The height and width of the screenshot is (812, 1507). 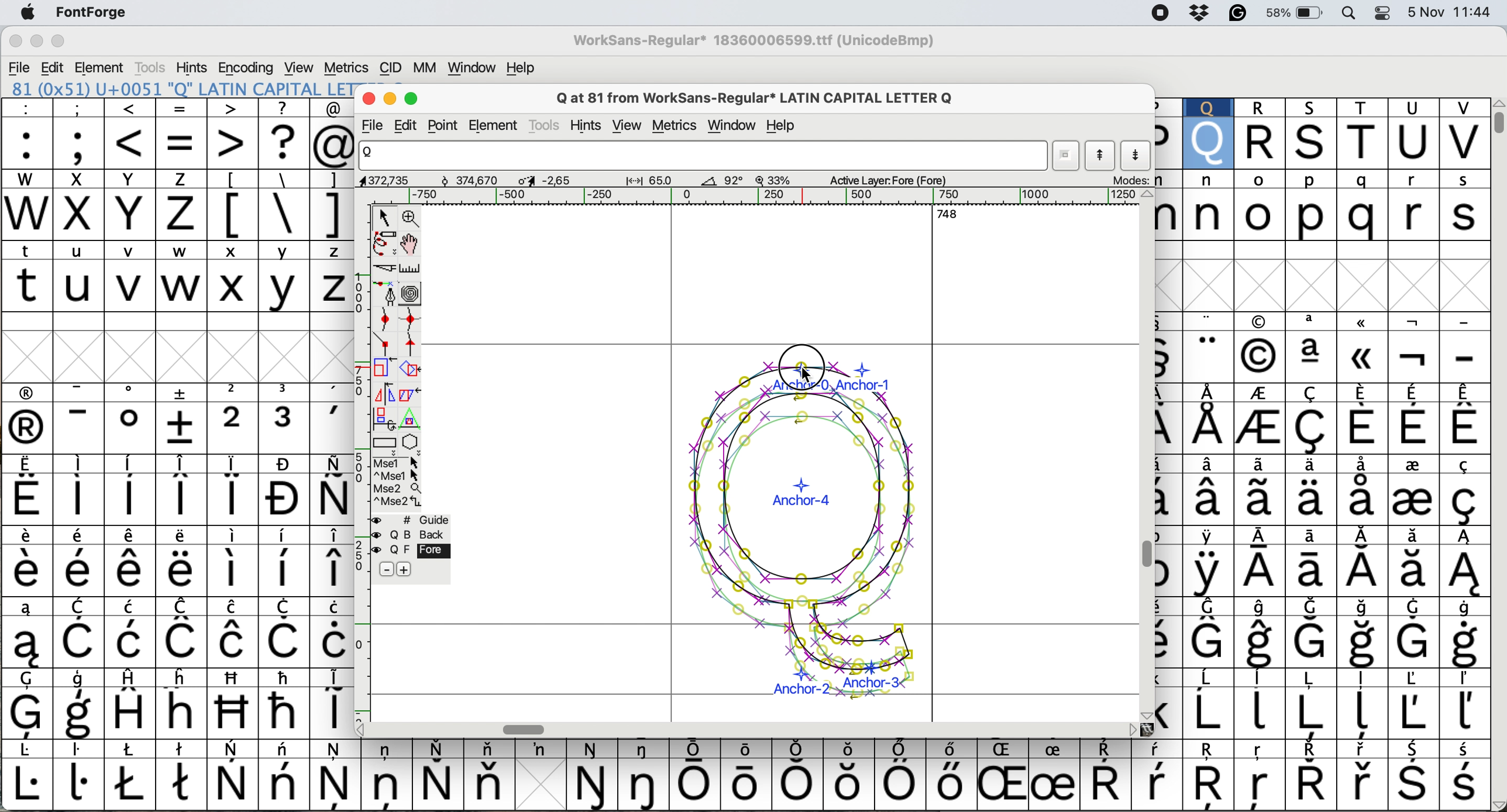 What do you see at coordinates (381, 370) in the screenshot?
I see `scale the selection` at bounding box center [381, 370].